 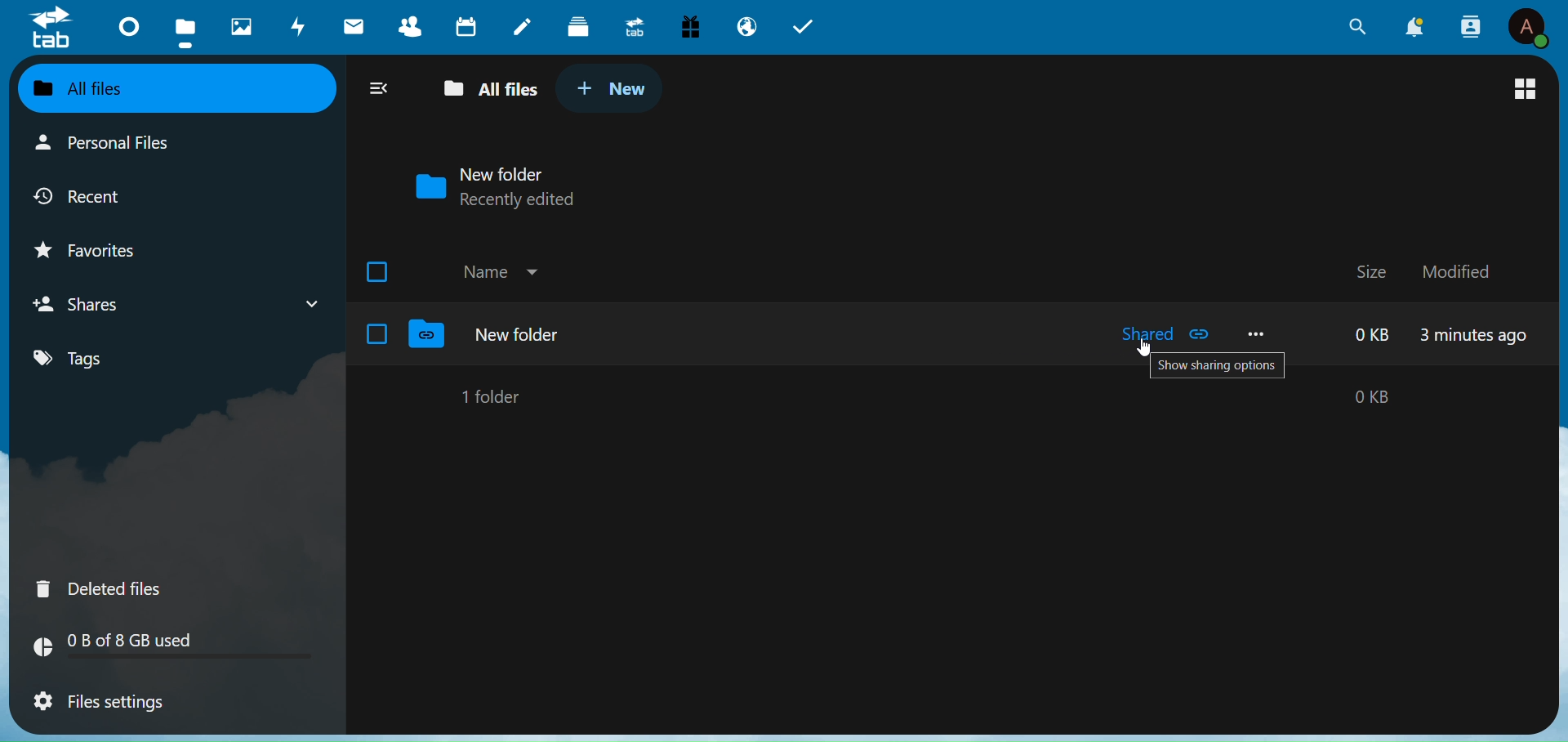 What do you see at coordinates (354, 25) in the screenshot?
I see `Mail` at bounding box center [354, 25].